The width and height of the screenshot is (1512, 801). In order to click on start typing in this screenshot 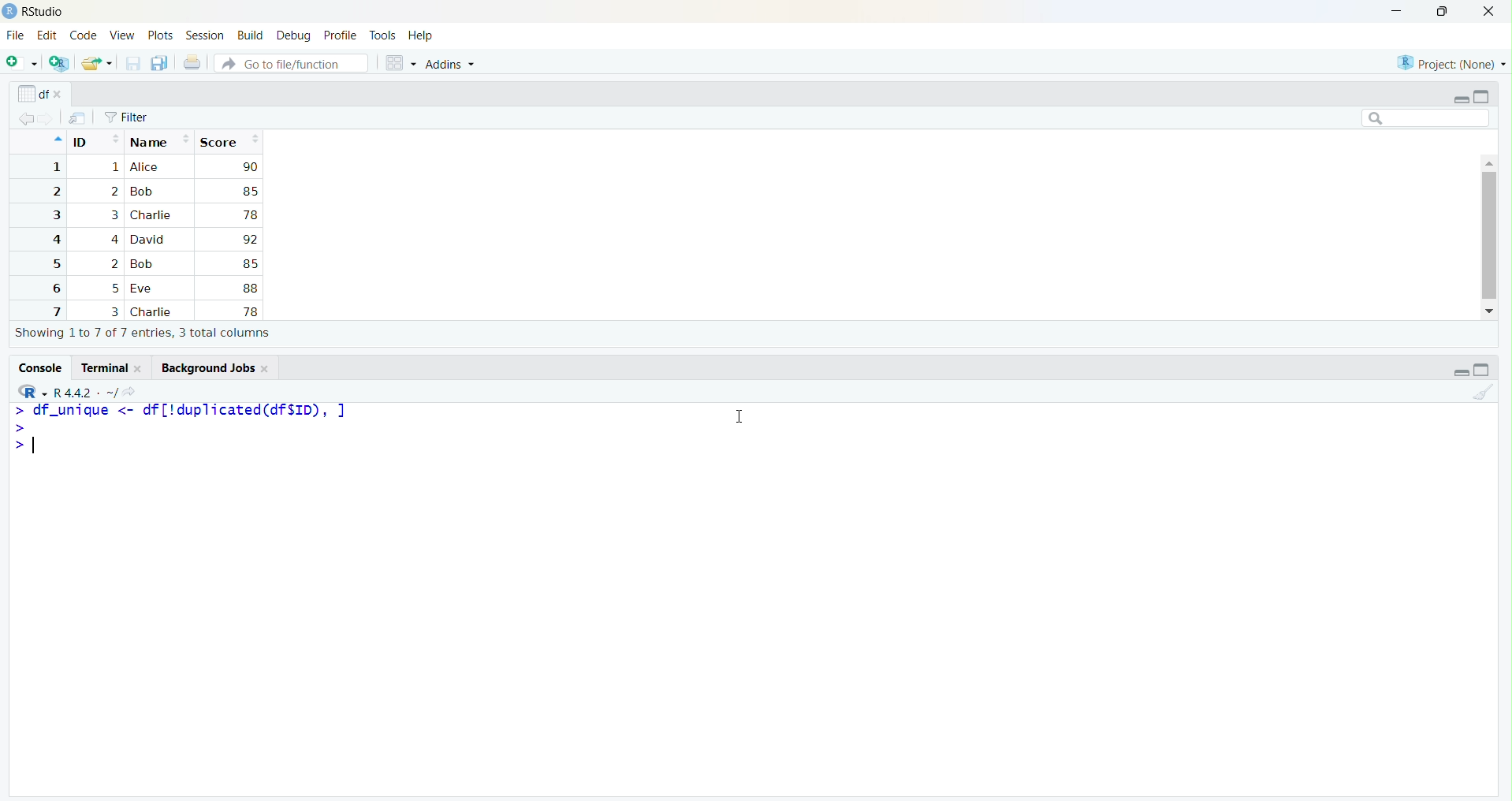, I will do `click(17, 445)`.